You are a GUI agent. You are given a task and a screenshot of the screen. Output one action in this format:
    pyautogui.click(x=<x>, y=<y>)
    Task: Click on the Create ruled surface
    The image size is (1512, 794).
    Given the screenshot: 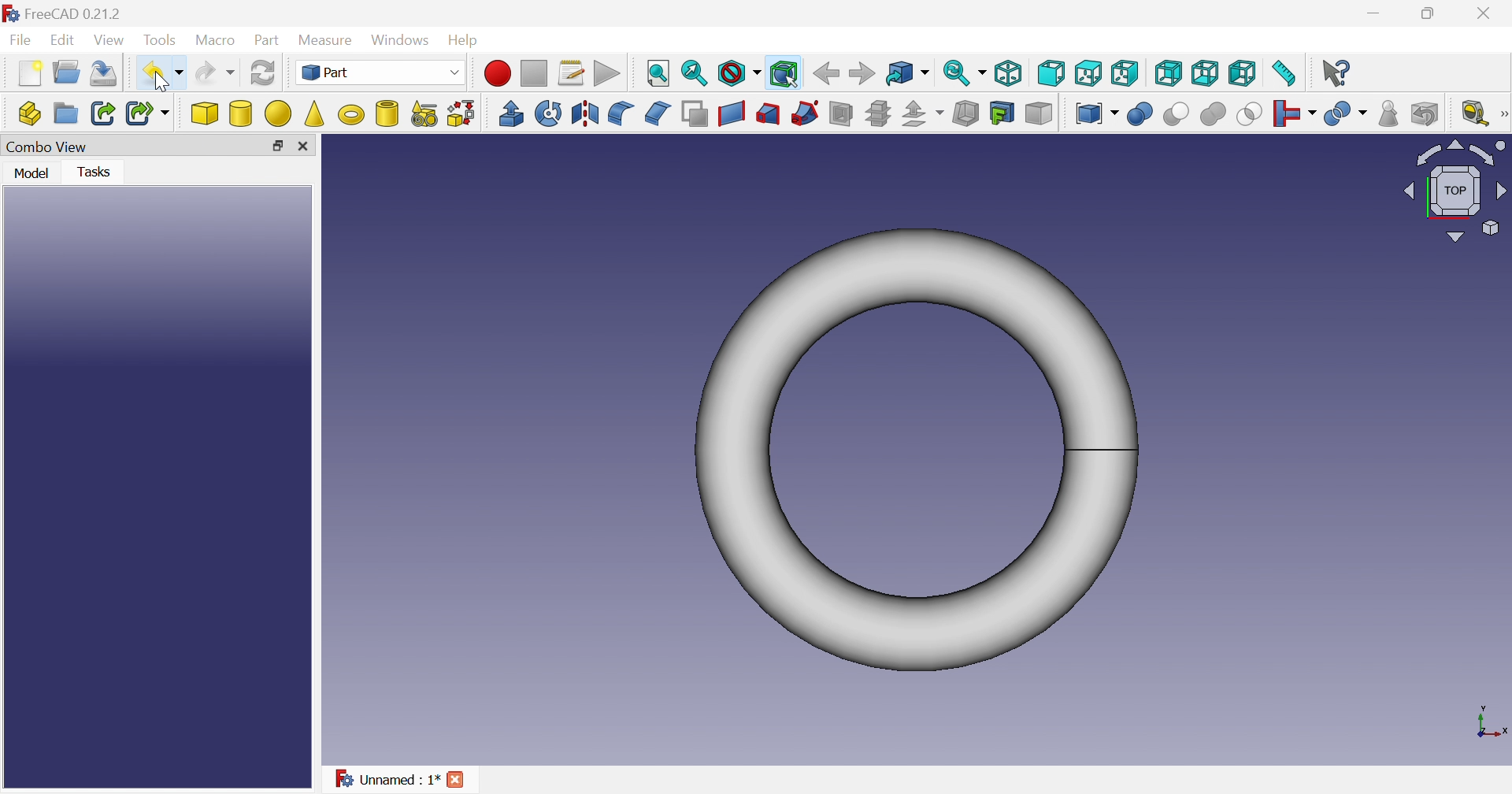 What is the action you would take?
    pyautogui.click(x=731, y=114)
    